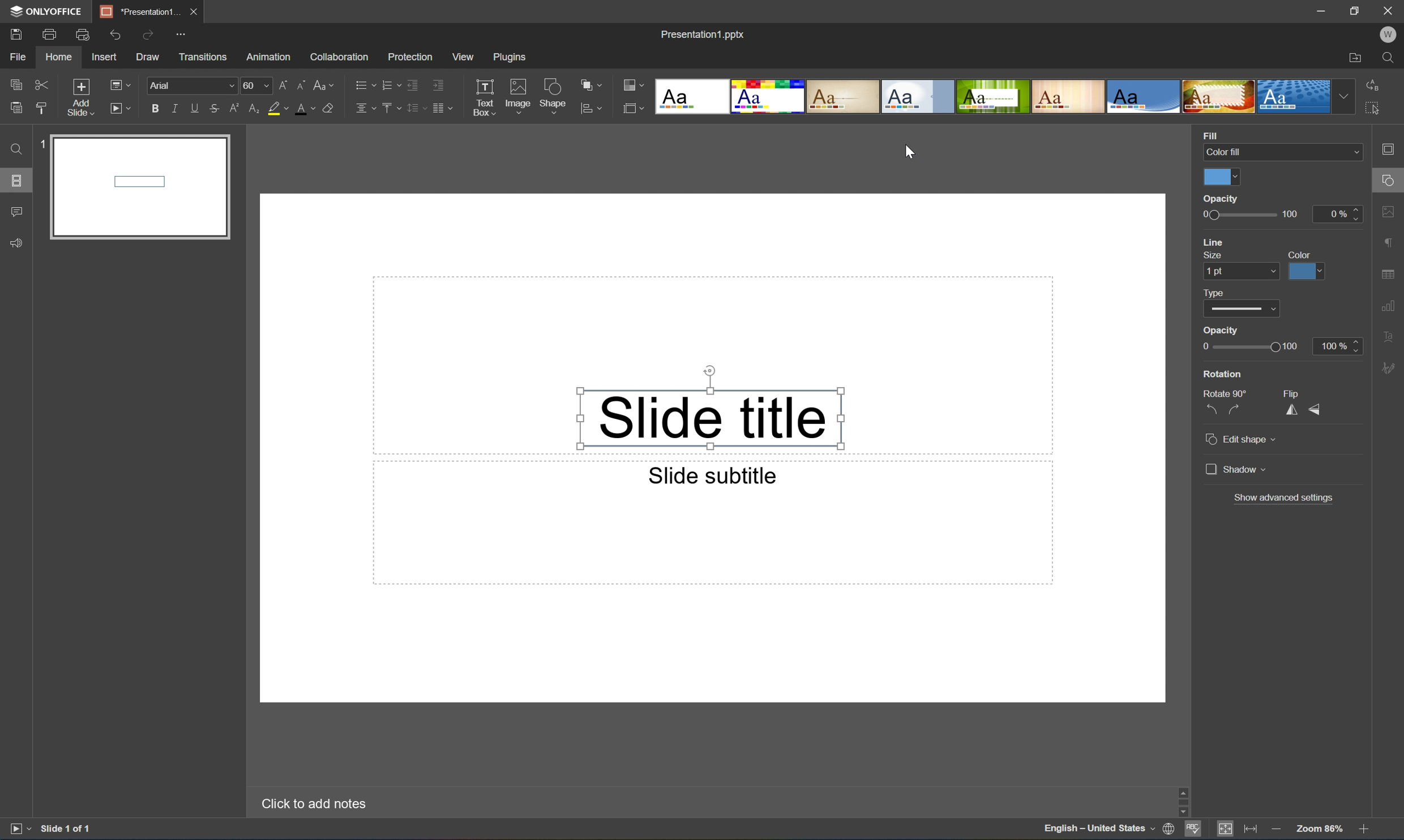 The image size is (1404, 840). I want to click on Scroll Bar, so click(1360, 803).